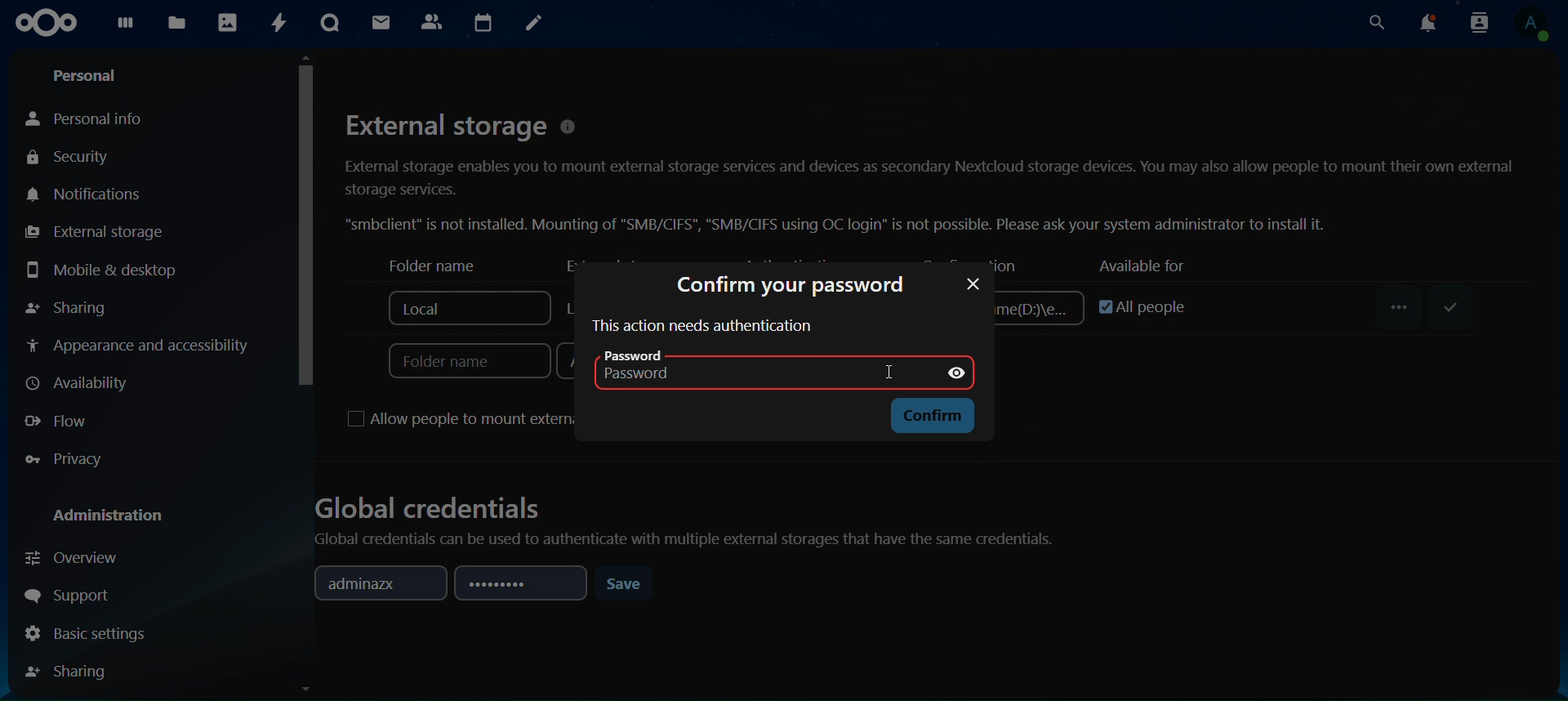  What do you see at coordinates (73, 592) in the screenshot?
I see `support` at bounding box center [73, 592].